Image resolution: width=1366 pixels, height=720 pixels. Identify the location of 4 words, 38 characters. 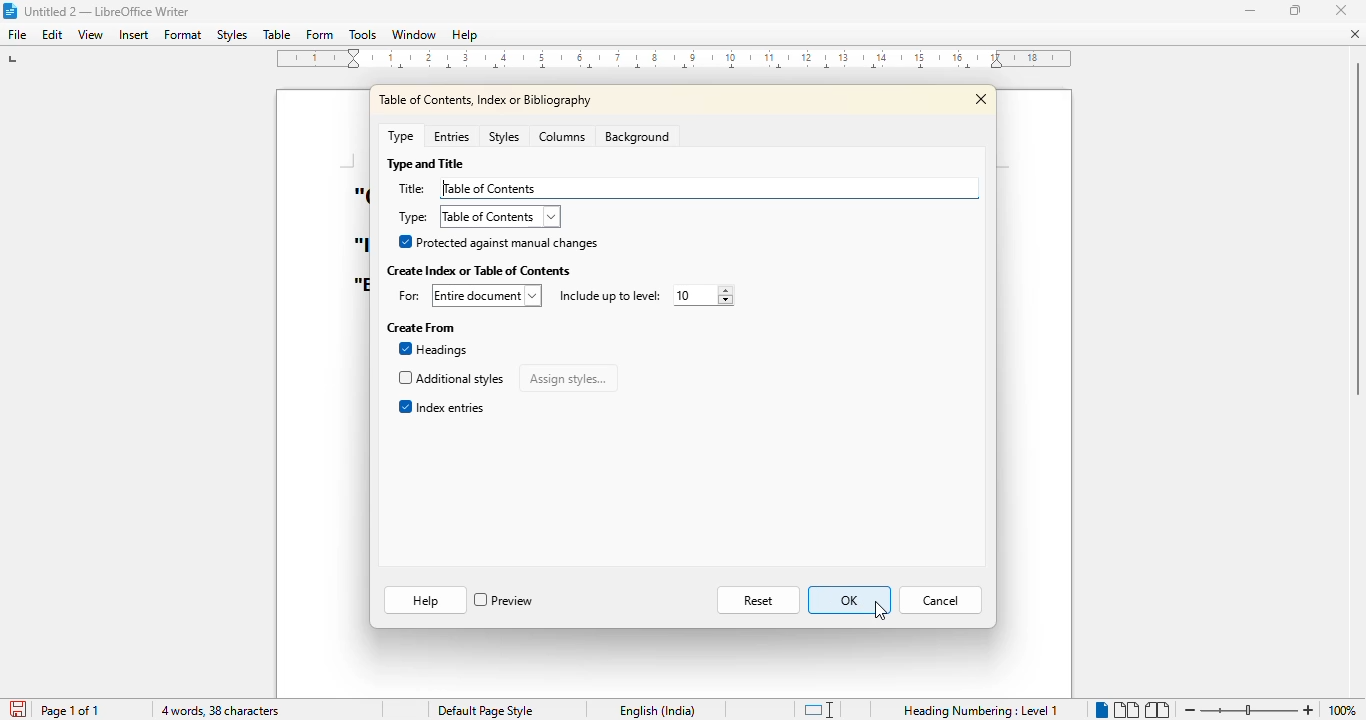
(220, 711).